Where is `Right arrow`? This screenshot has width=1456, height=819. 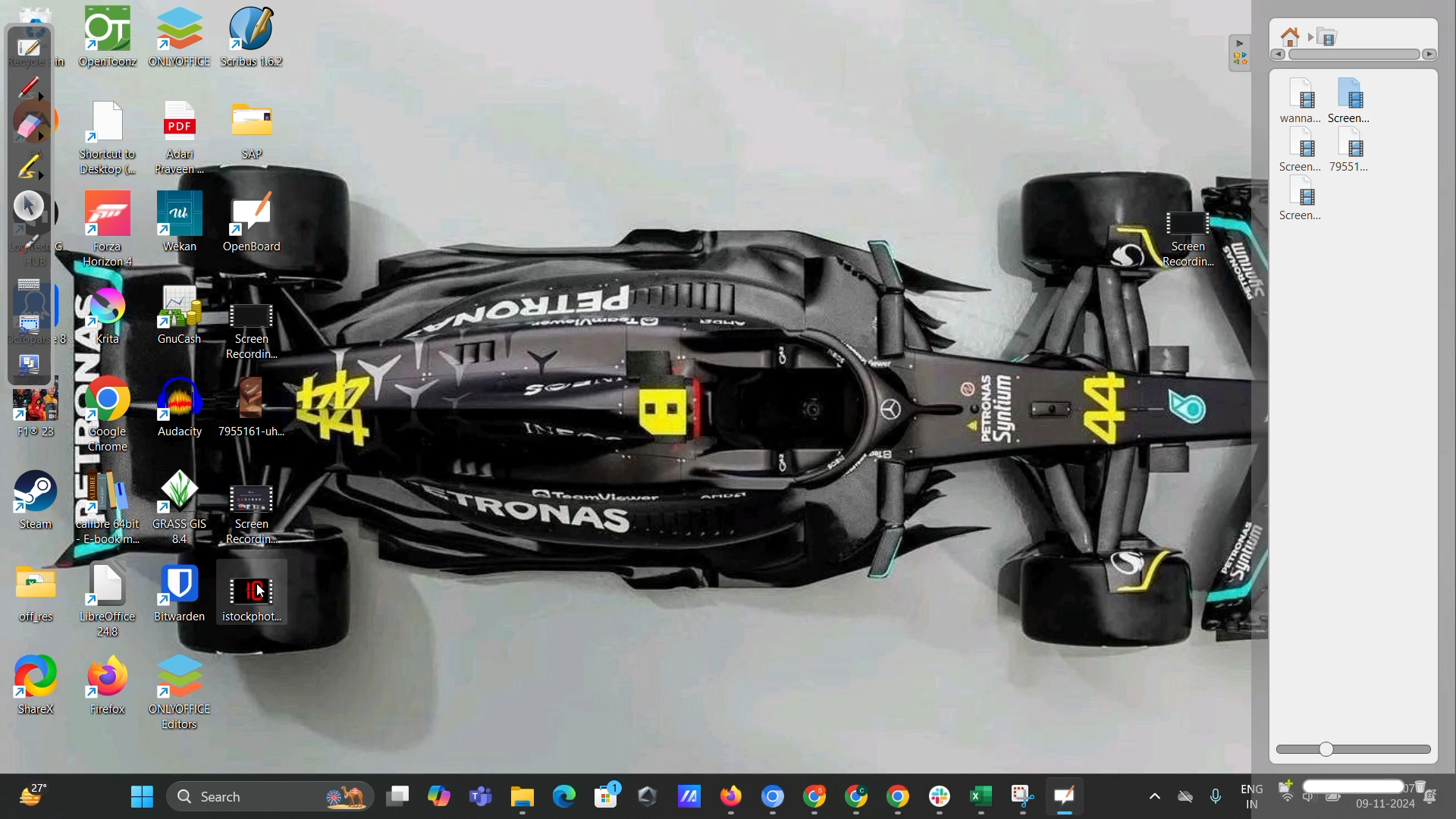
Right arrow is located at coordinates (1434, 55).